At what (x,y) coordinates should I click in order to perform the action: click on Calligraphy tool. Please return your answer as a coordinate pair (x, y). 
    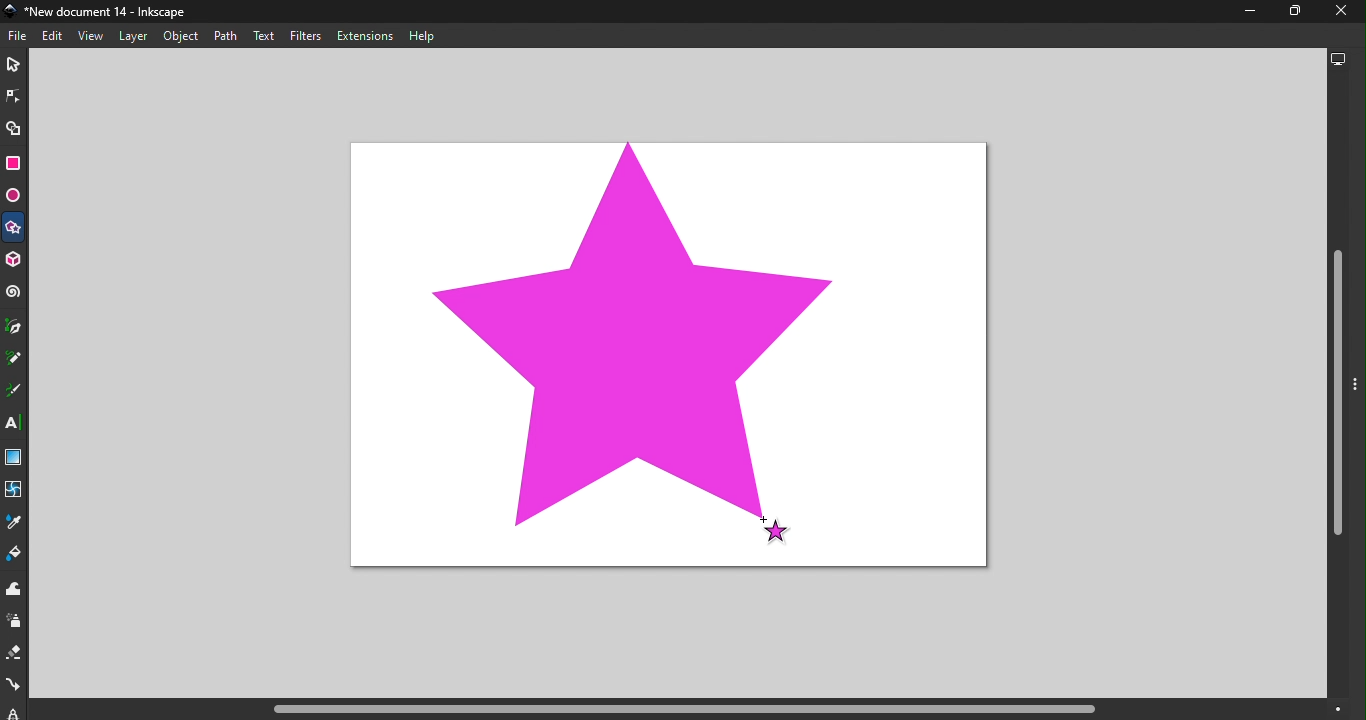
    Looking at the image, I should click on (17, 391).